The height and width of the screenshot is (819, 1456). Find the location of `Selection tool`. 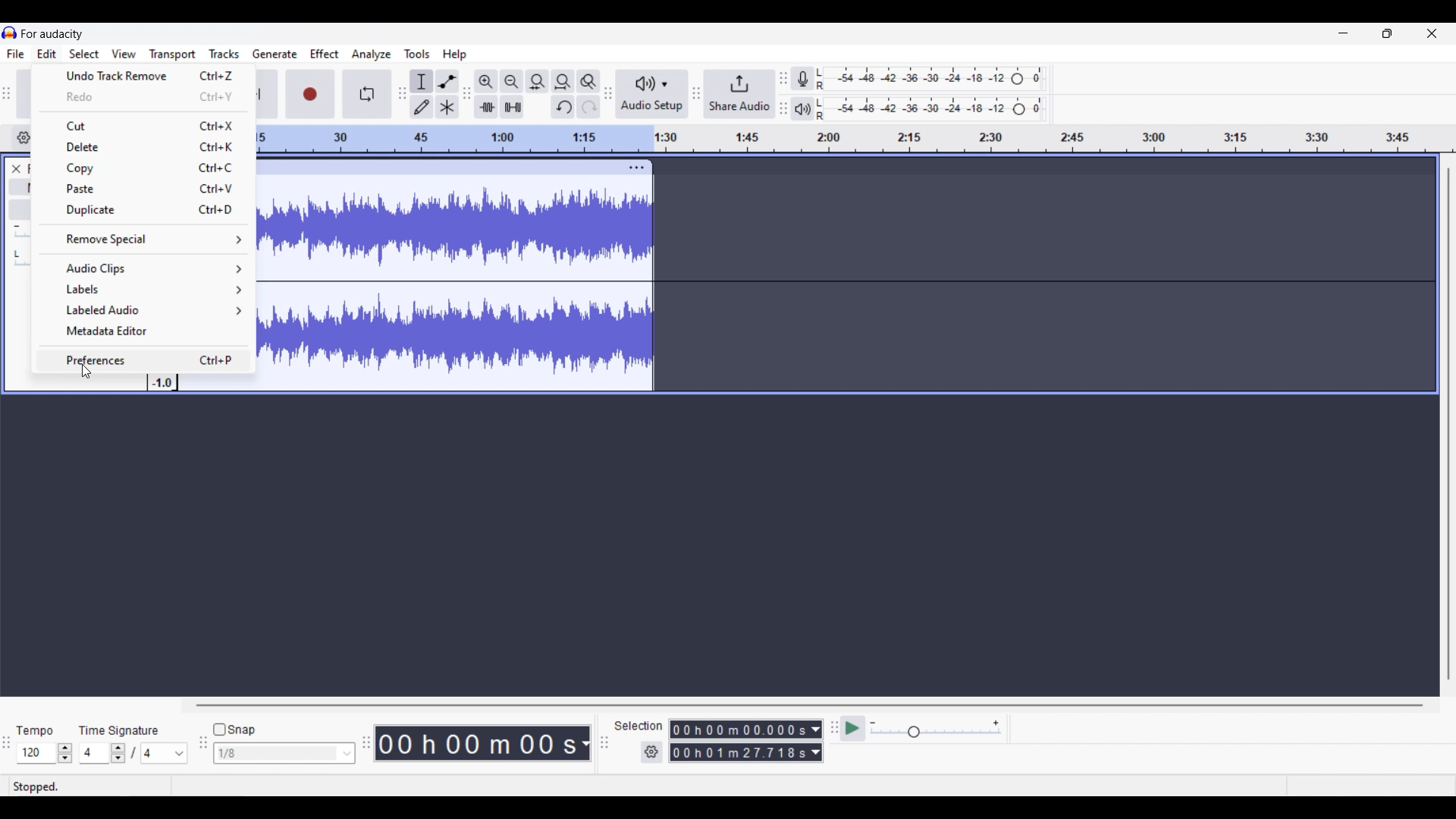

Selection tool is located at coordinates (421, 82).